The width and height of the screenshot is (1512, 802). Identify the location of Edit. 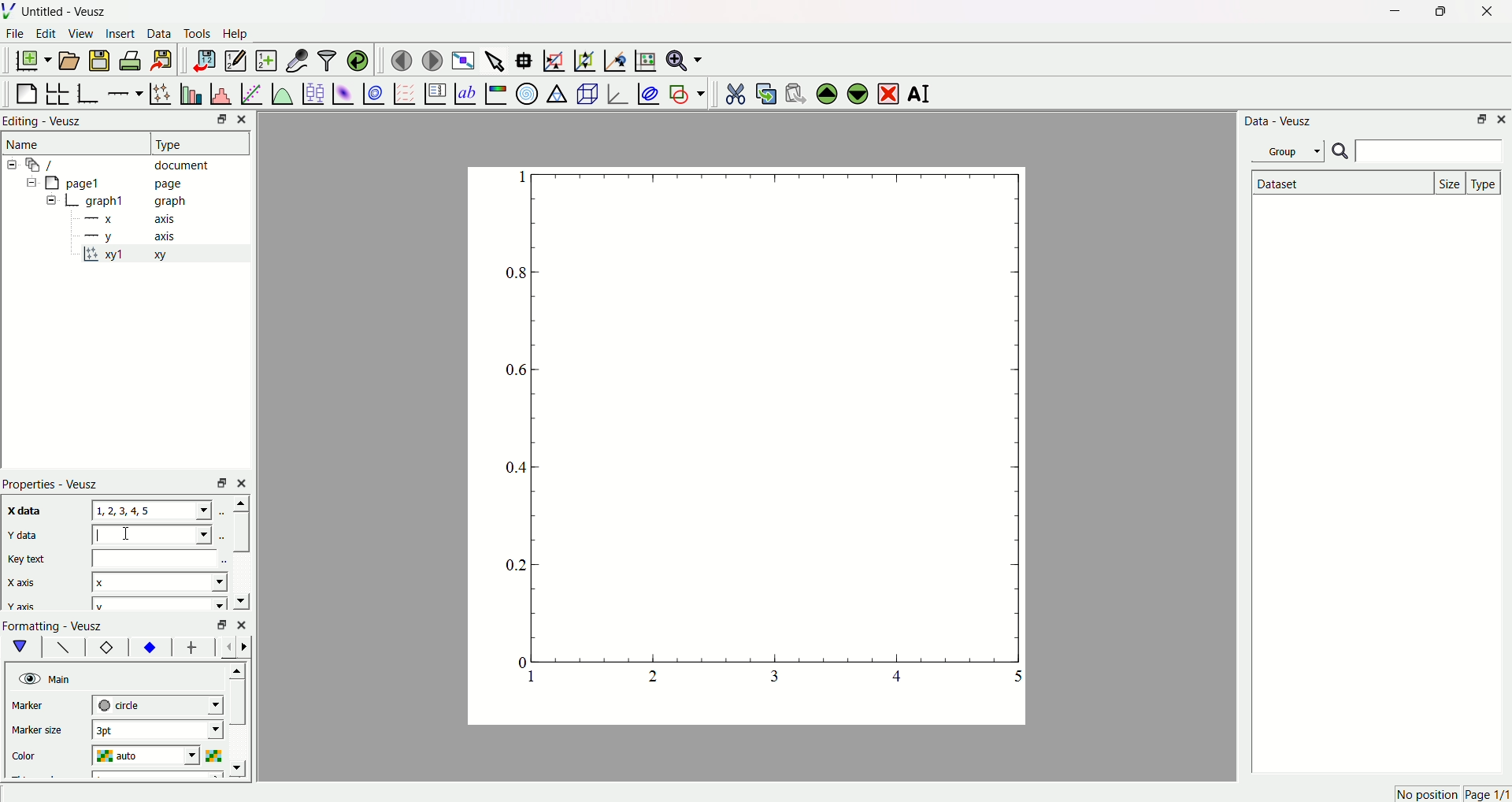
(46, 35).